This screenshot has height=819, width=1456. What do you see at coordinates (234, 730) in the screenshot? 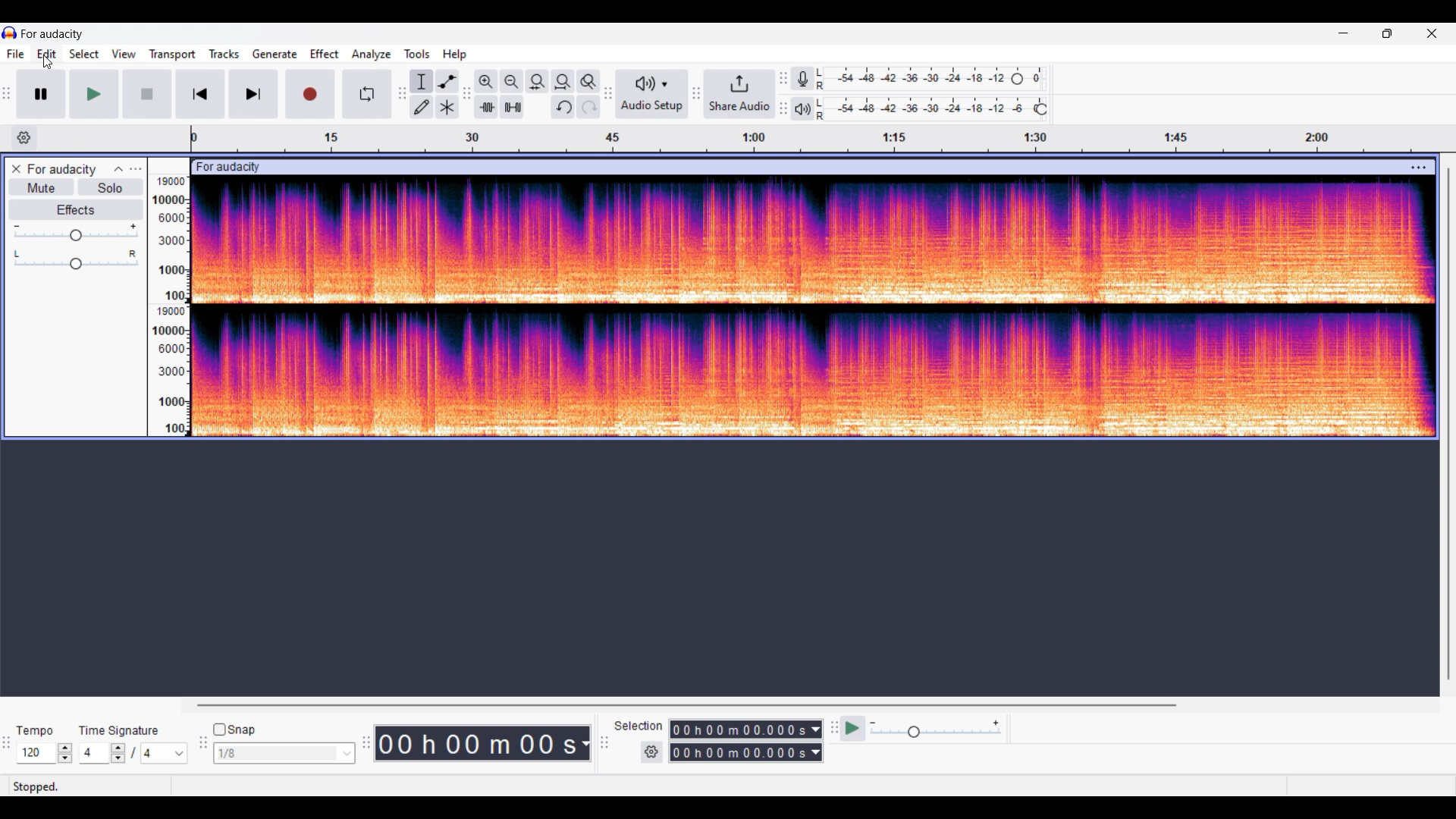
I see `Snap toggle` at bounding box center [234, 730].